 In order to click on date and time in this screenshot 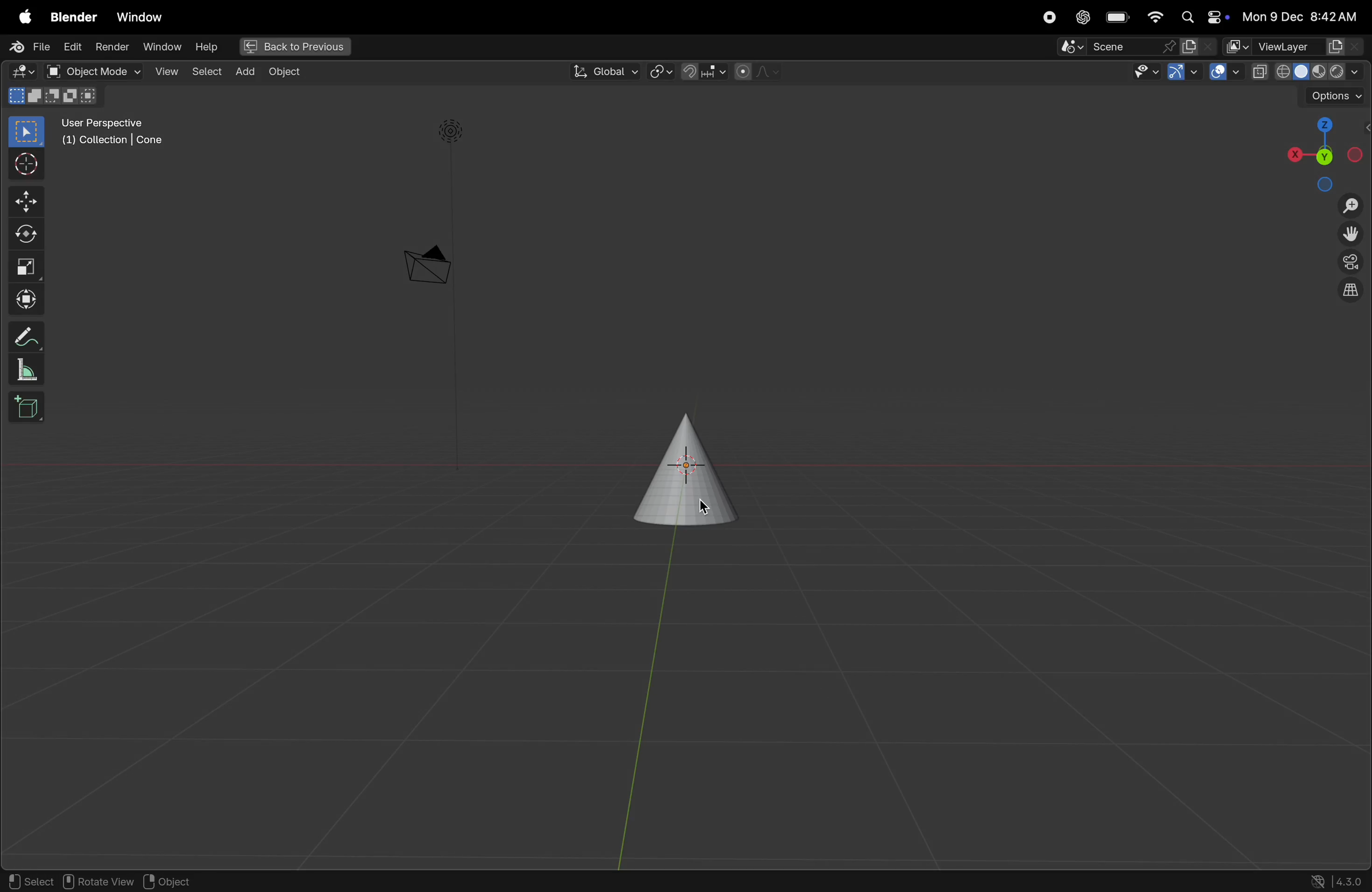, I will do `click(1299, 16)`.